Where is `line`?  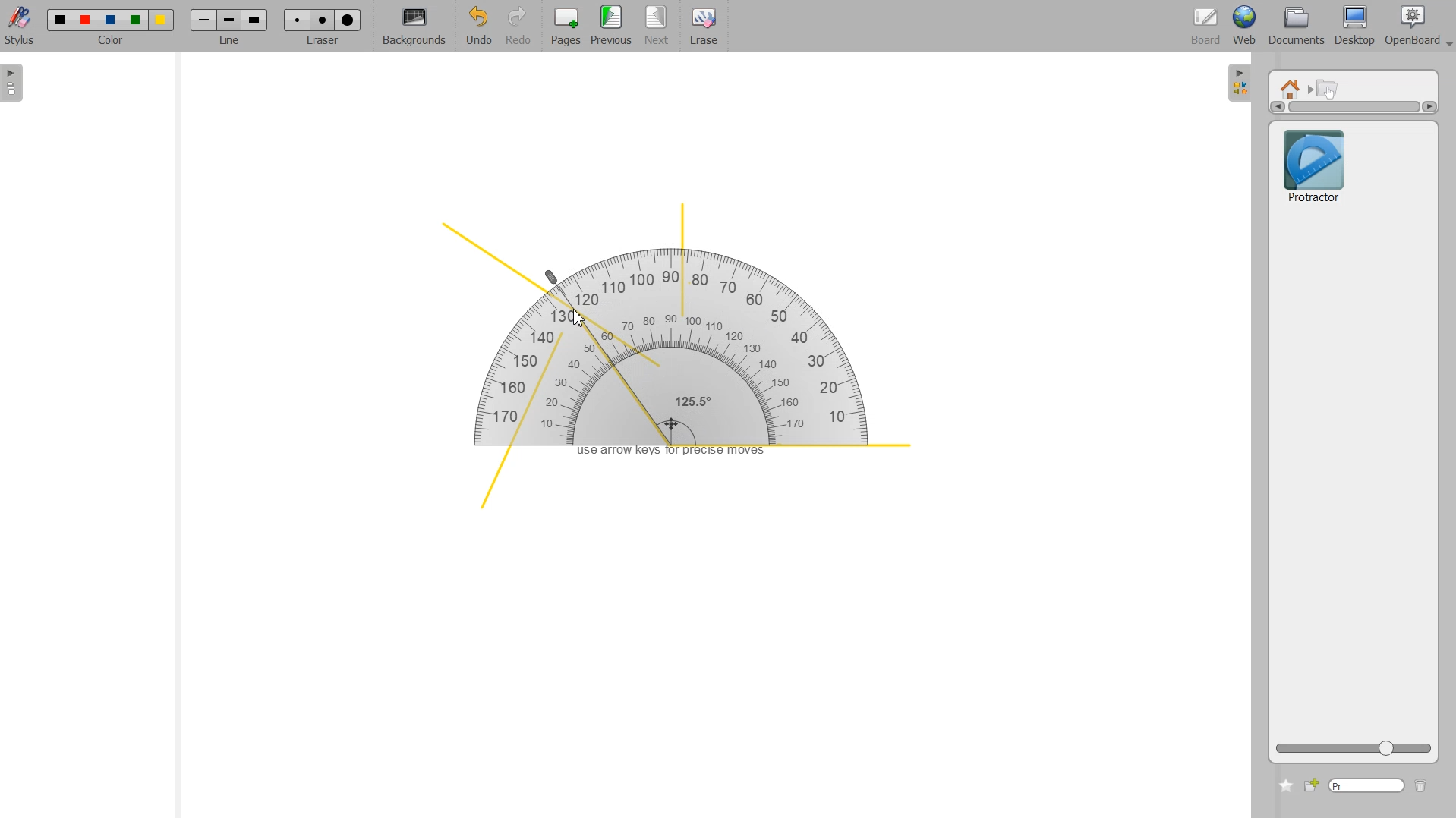 line is located at coordinates (232, 42).